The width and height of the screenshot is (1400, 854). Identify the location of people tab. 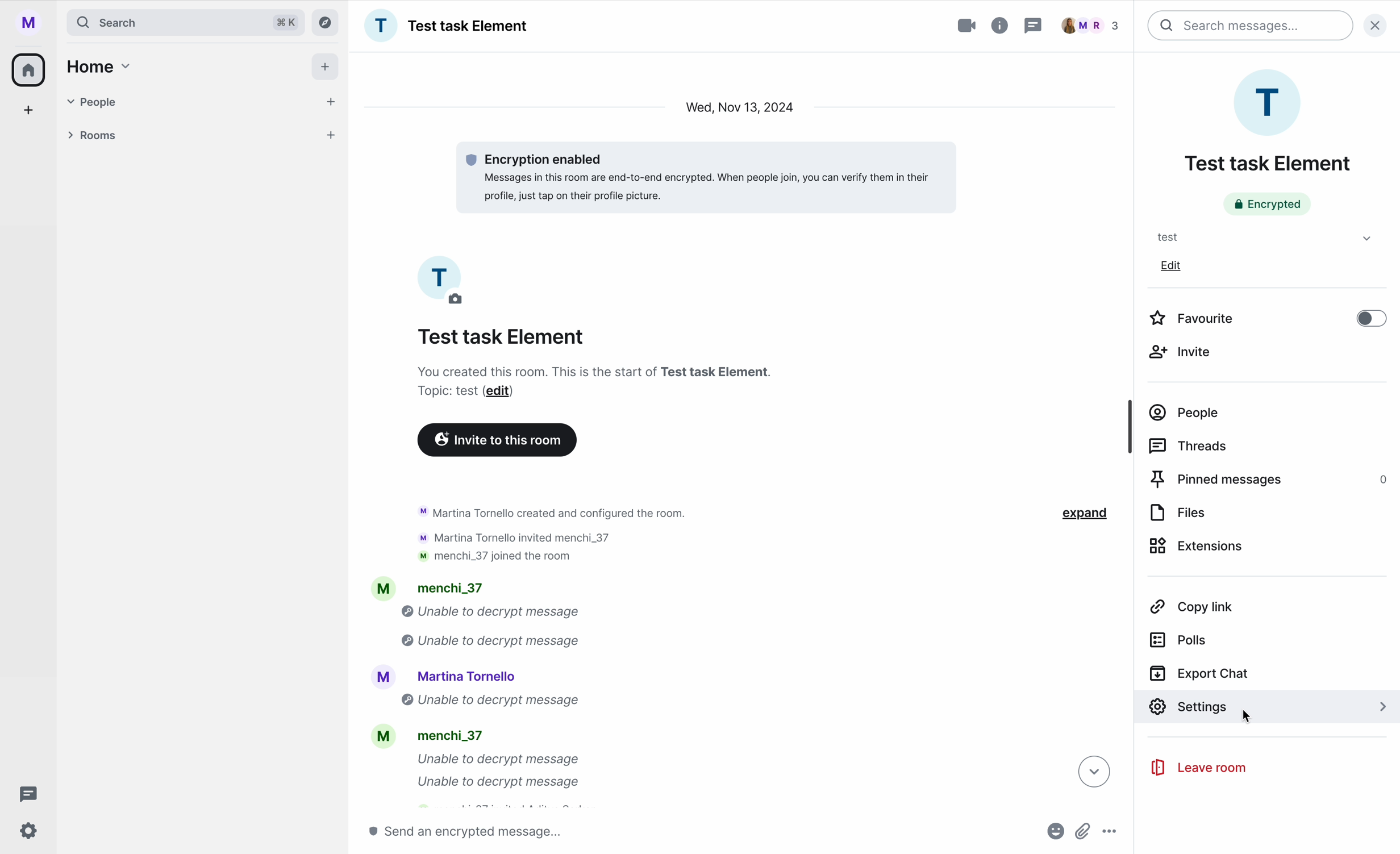
(206, 102).